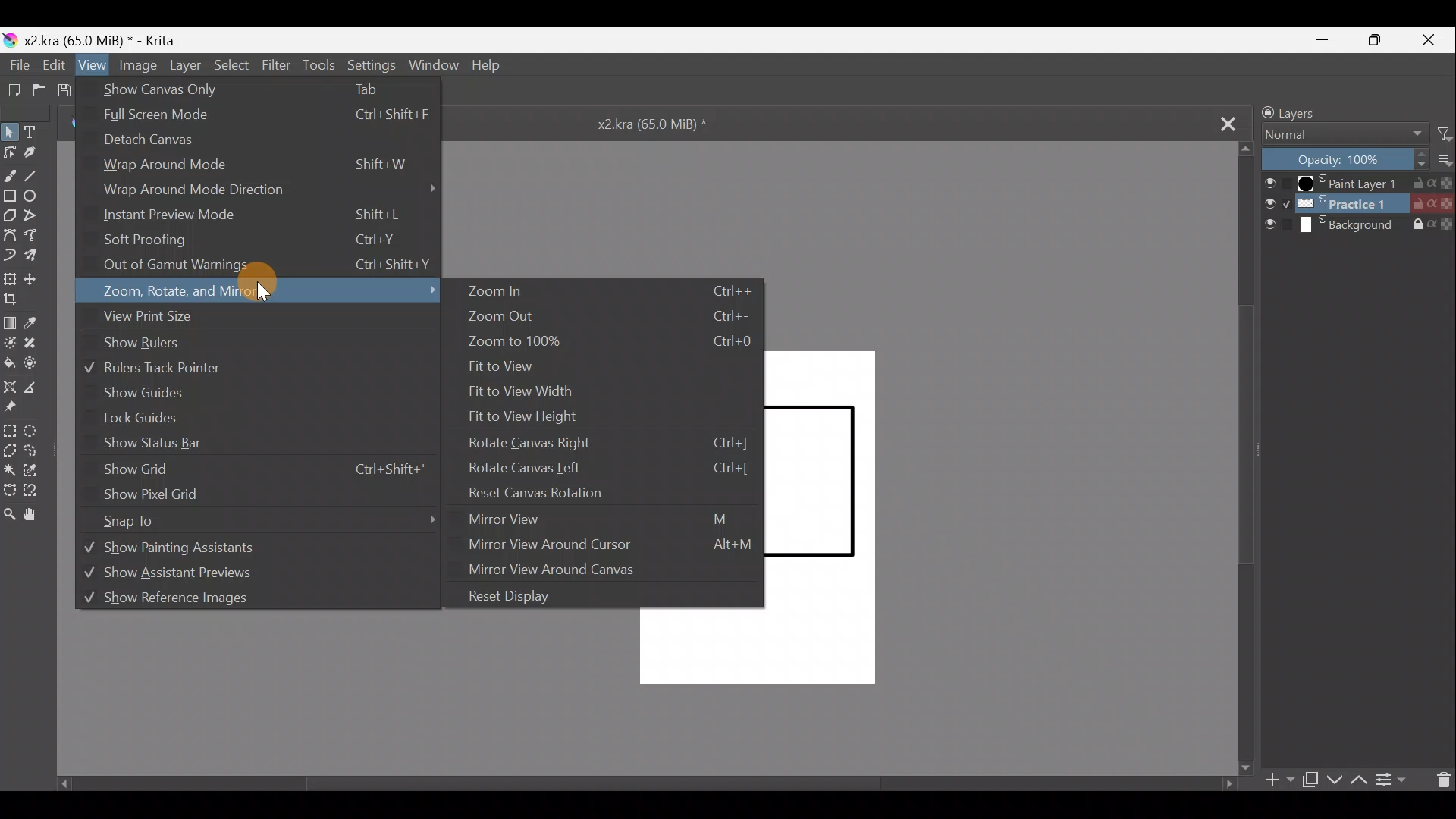 The height and width of the screenshot is (819, 1456). Describe the element at coordinates (371, 64) in the screenshot. I see `Settings` at that location.